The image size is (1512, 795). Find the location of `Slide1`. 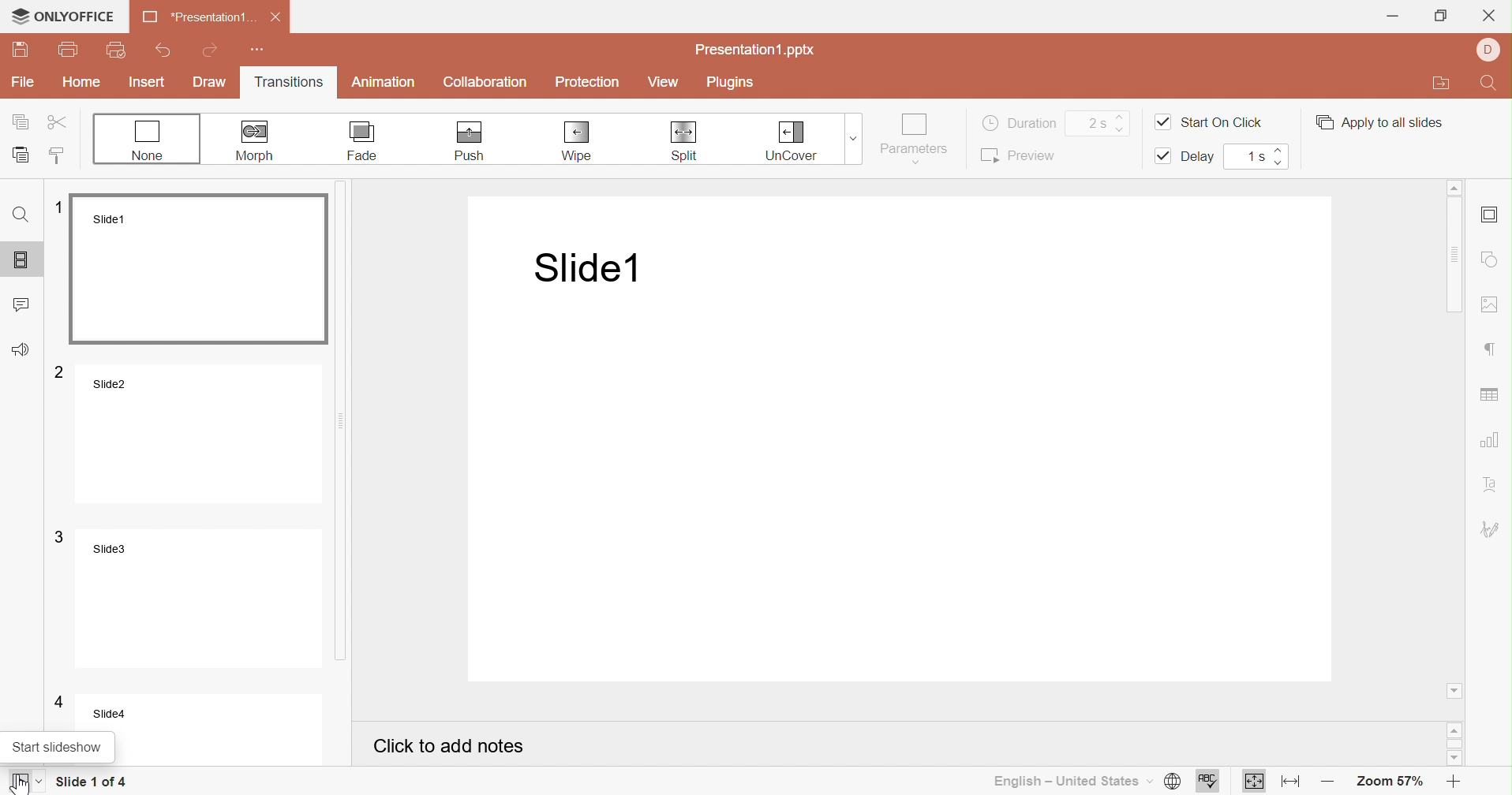

Slide1 is located at coordinates (582, 268).